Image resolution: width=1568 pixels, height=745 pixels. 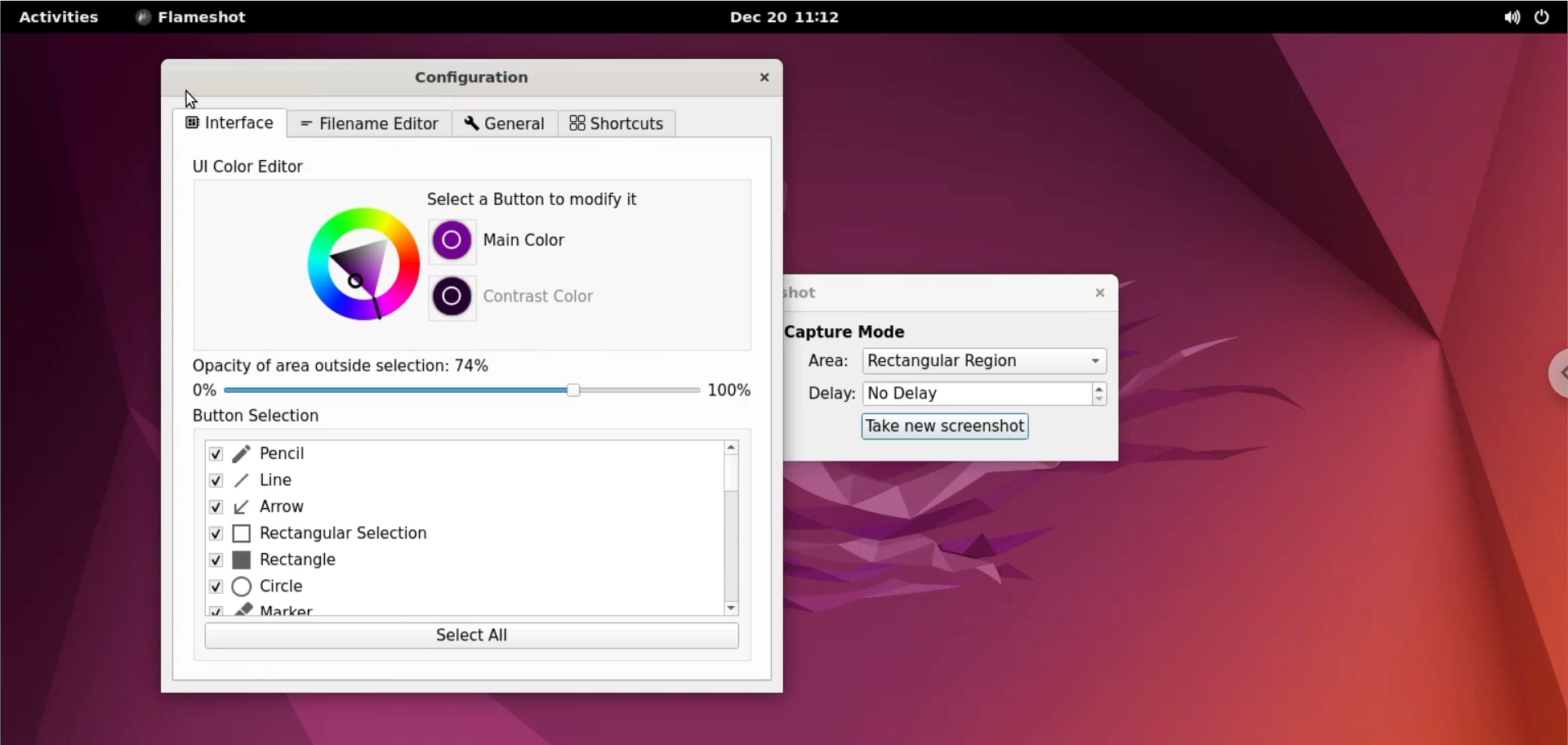 What do you see at coordinates (257, 169) in the screenshot?
I see `UI color editor` at bounding box center [257, 169].